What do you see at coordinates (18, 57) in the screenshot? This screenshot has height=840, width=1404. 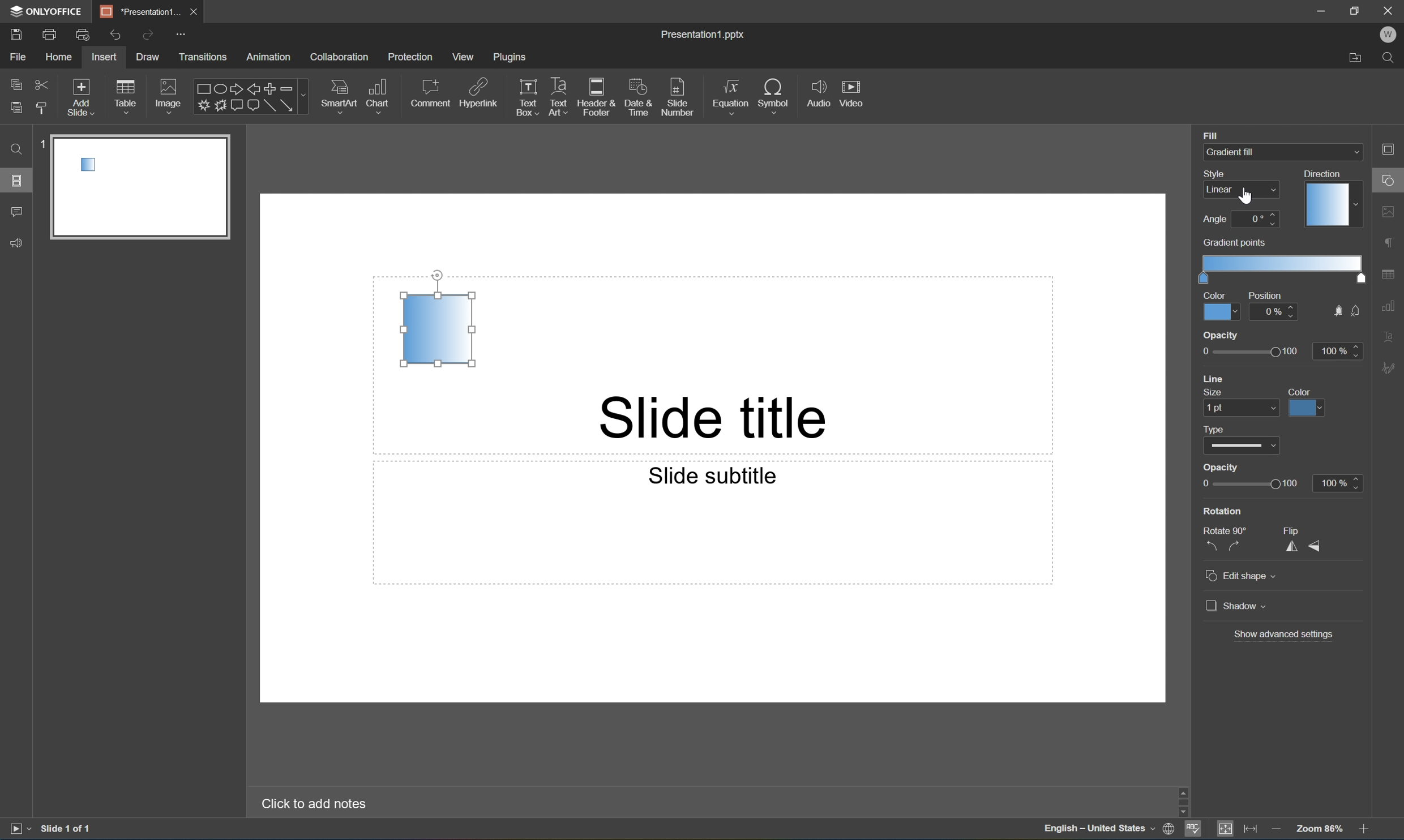 I see `File` at bounding box center [18, 57].